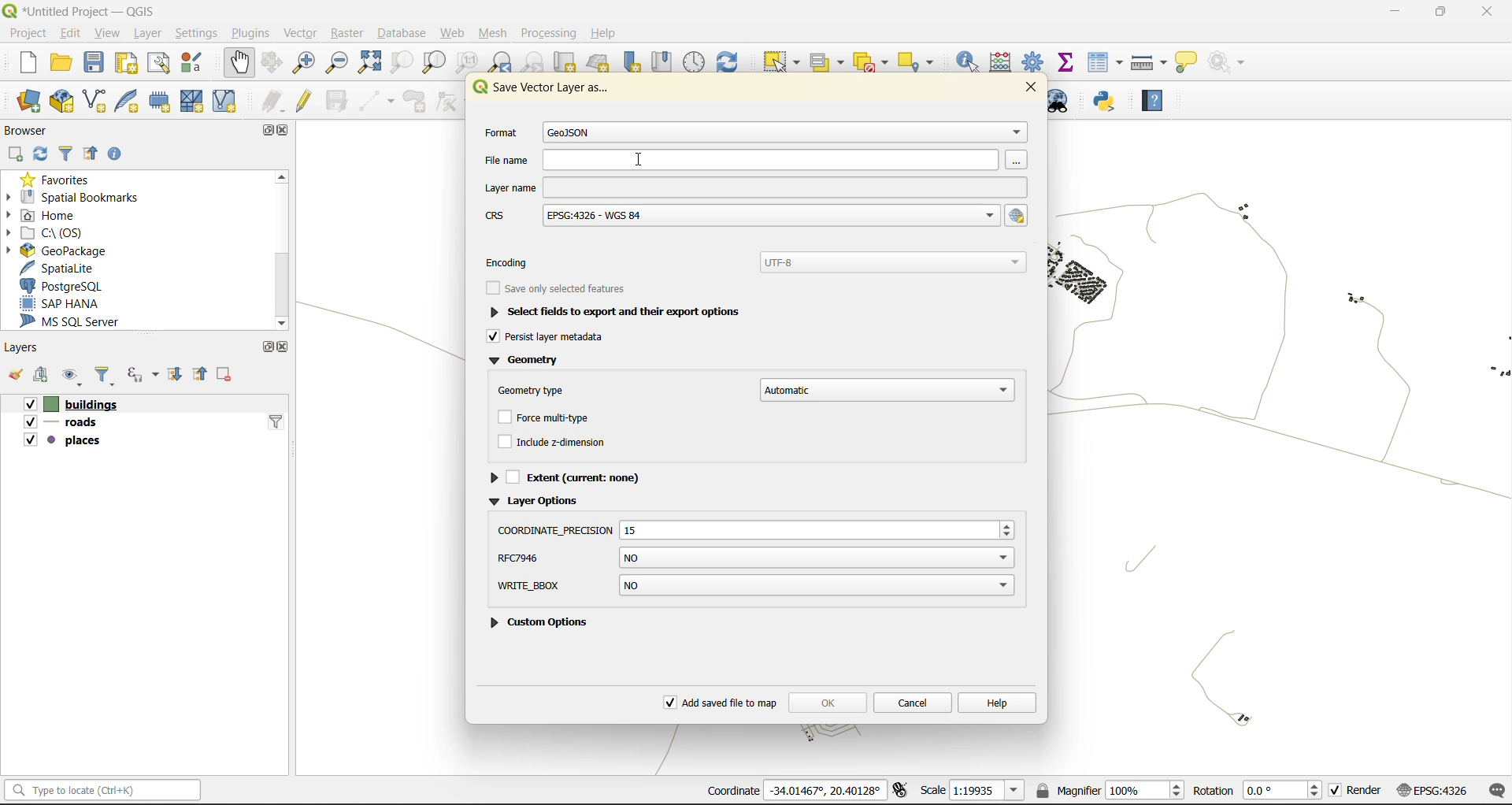  I want to click on format, so click(751, 133).